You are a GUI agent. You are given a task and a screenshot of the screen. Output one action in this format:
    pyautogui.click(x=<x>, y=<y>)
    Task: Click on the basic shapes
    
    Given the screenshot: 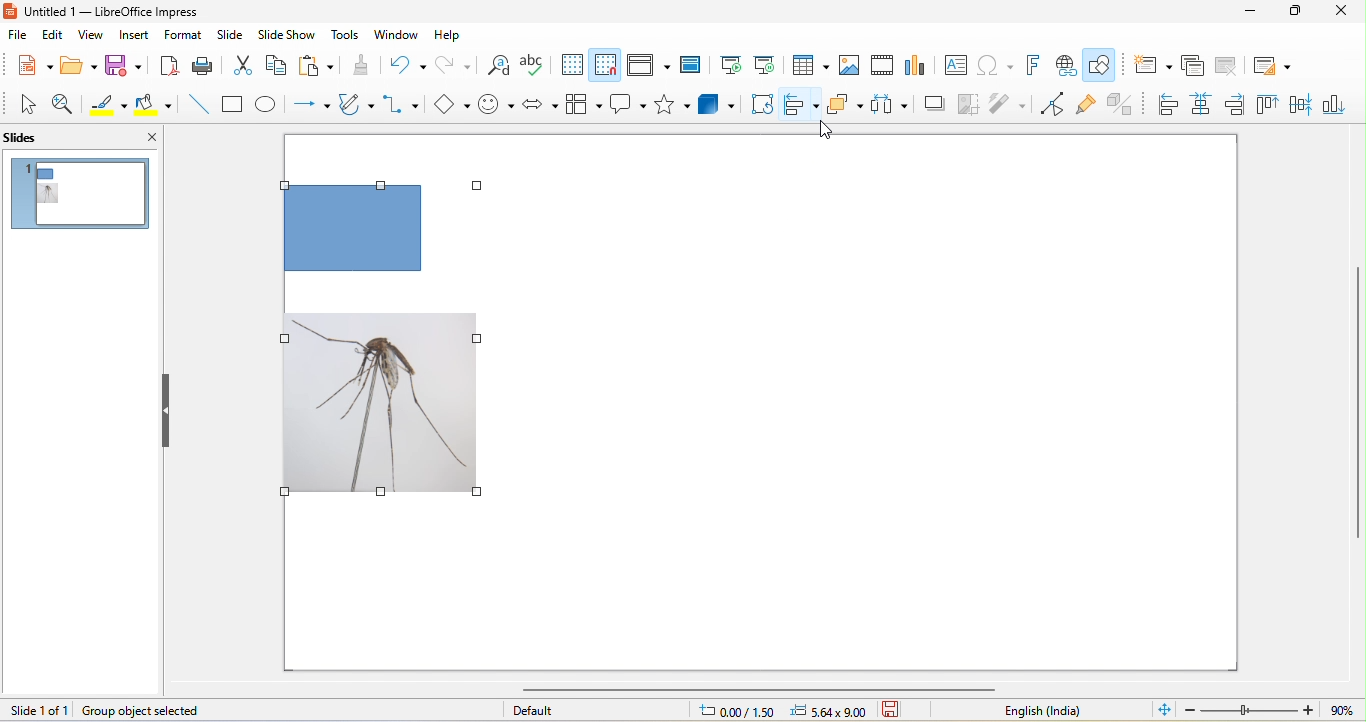 What is the action you would take?
    pyautogui.click(x=448, y=106)
    